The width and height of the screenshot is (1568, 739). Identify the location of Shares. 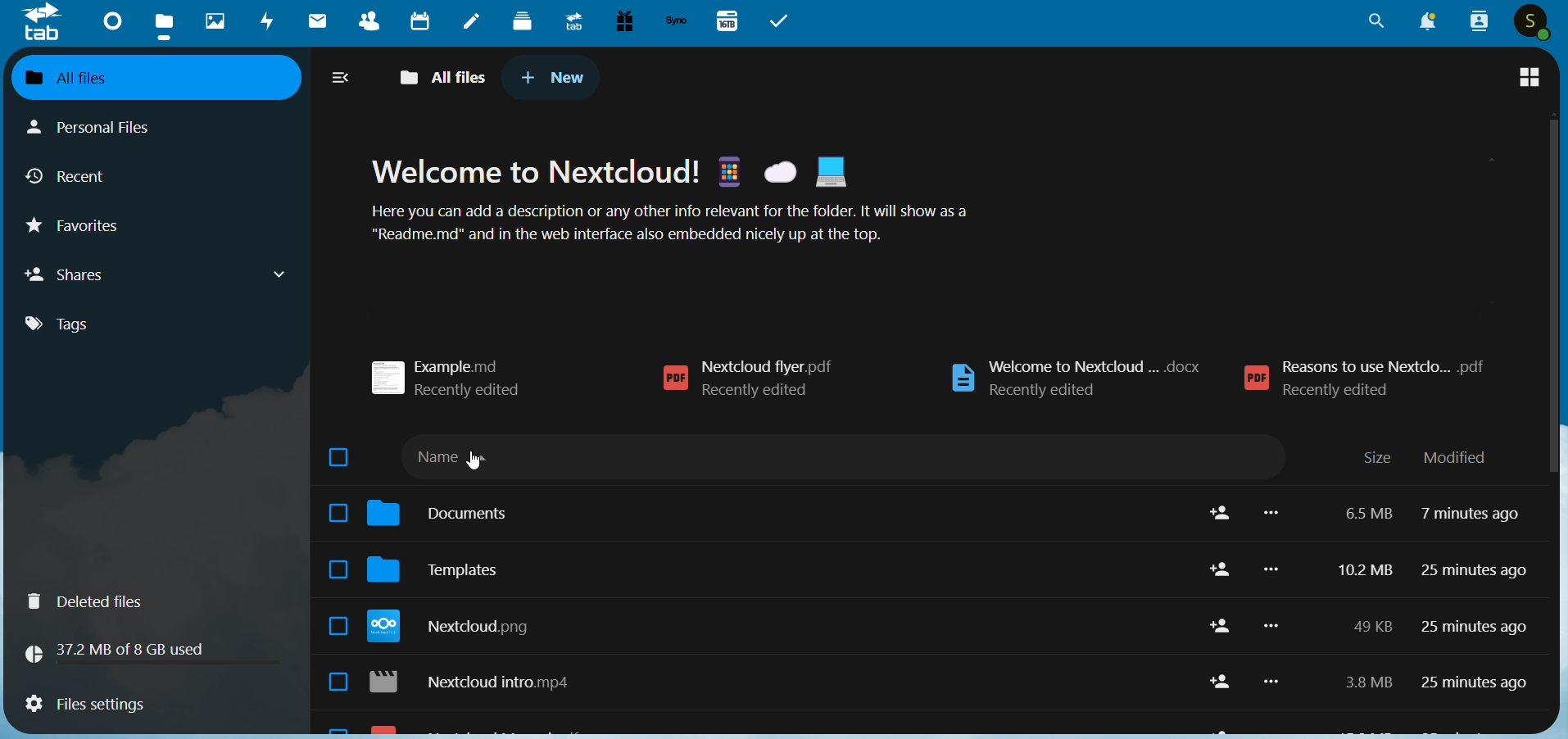
(156, 277).